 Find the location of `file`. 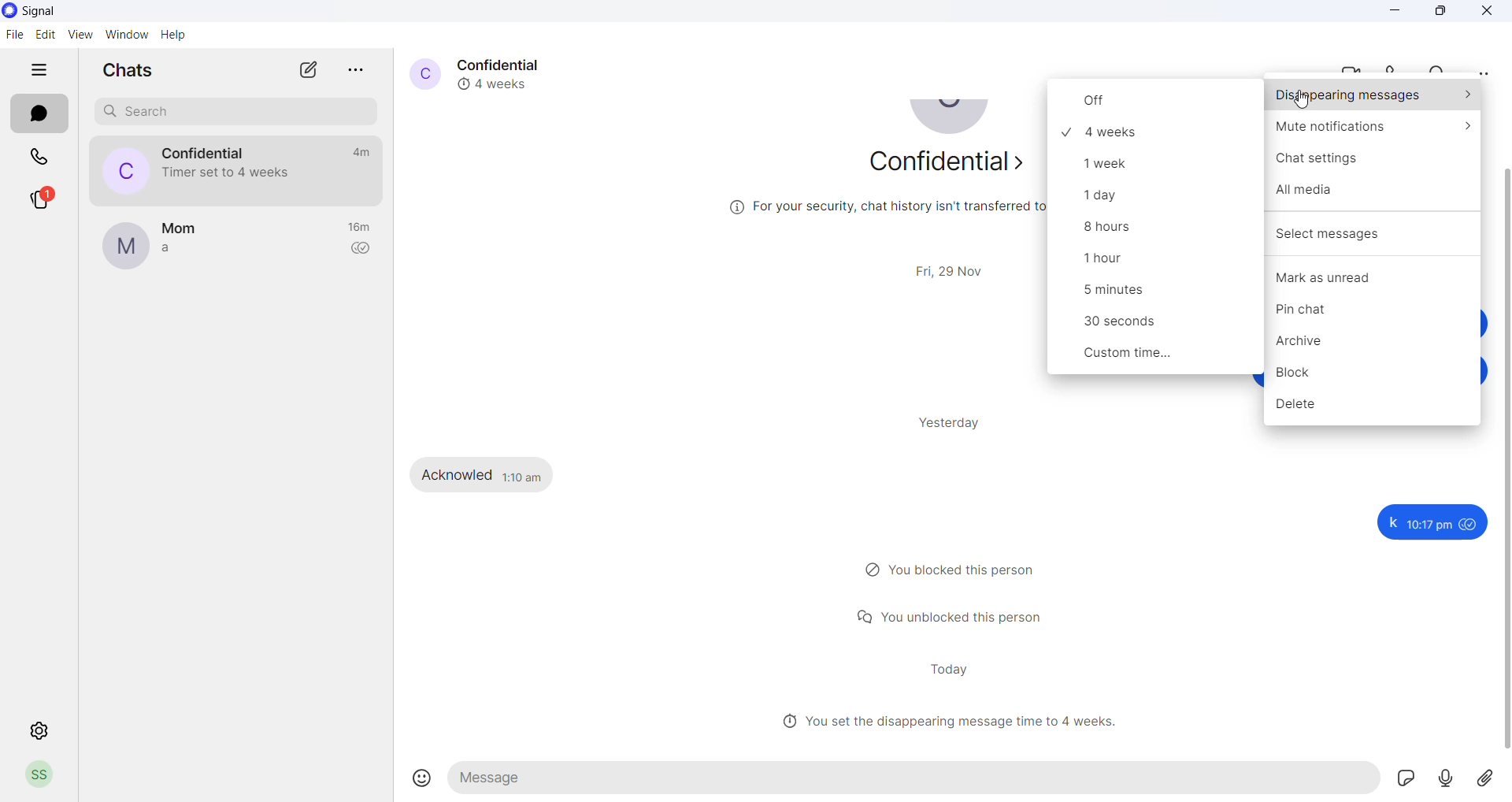

file is located at coordinates (14, 35).